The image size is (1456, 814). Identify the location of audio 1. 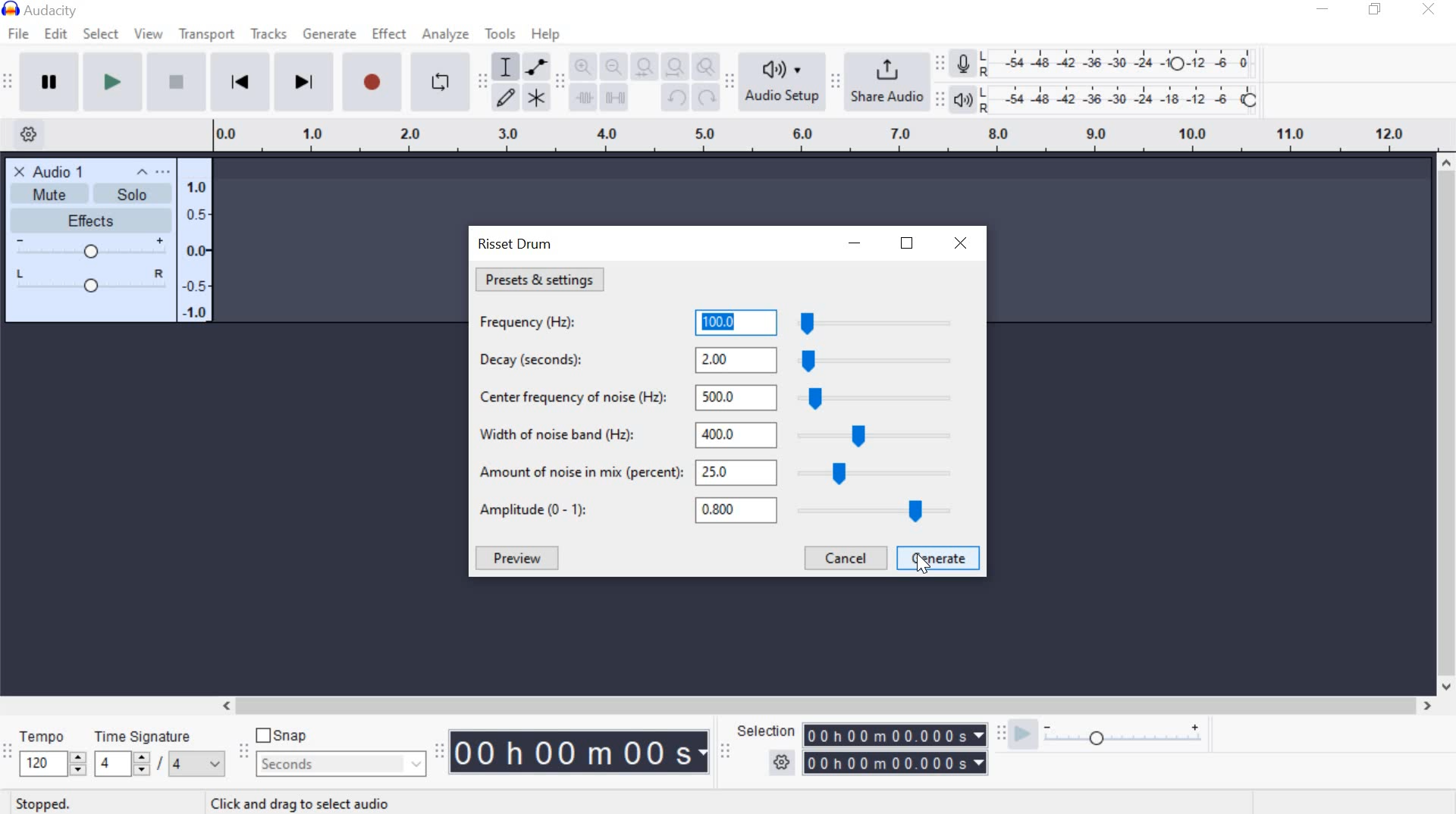
(60, 170).